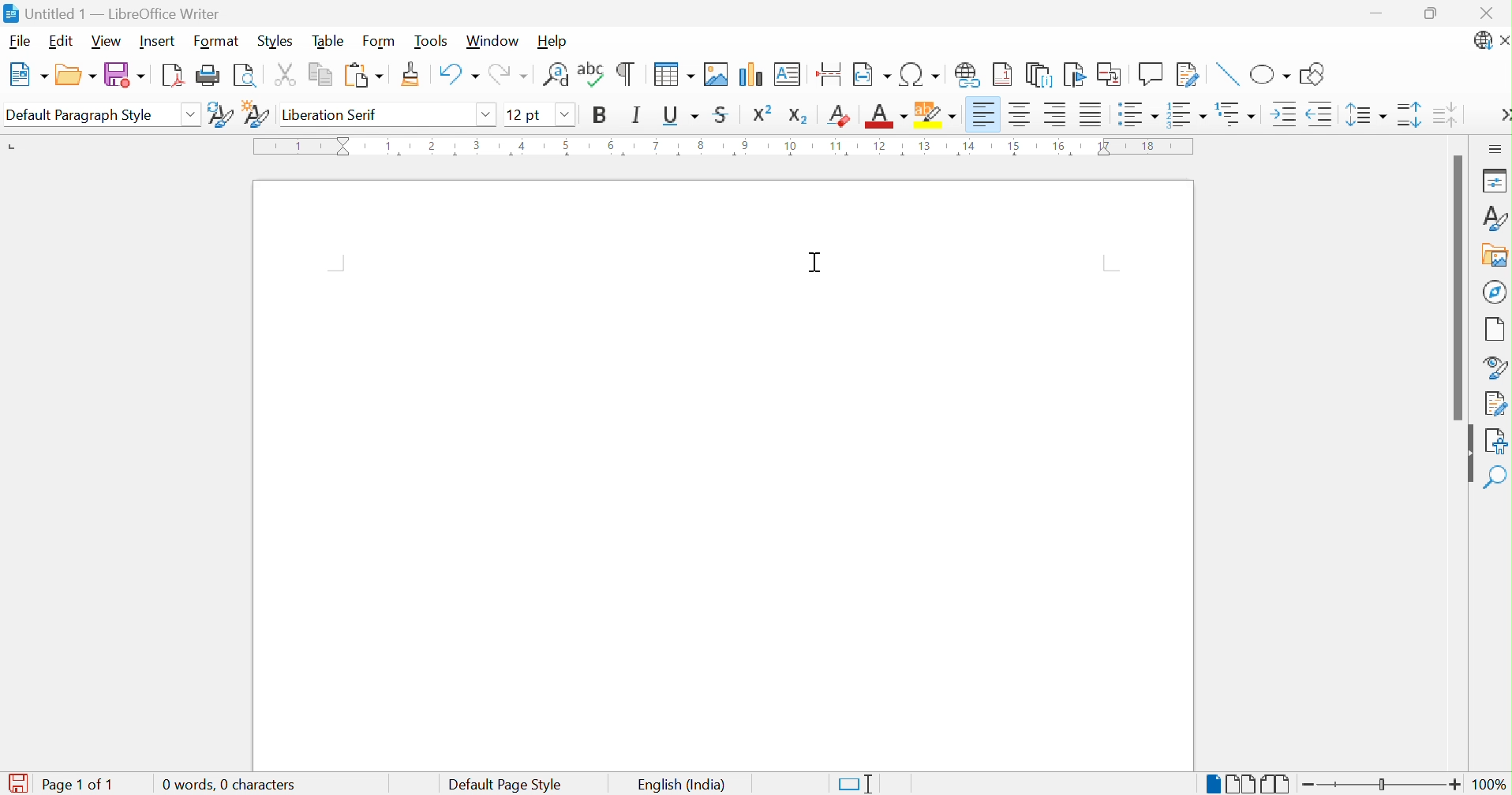 The width and height of the screenshot is (1512, 795). What do you see at coordinates (556, 41) in the screenshot?
I see `Help` at bounding box center [556, 41].